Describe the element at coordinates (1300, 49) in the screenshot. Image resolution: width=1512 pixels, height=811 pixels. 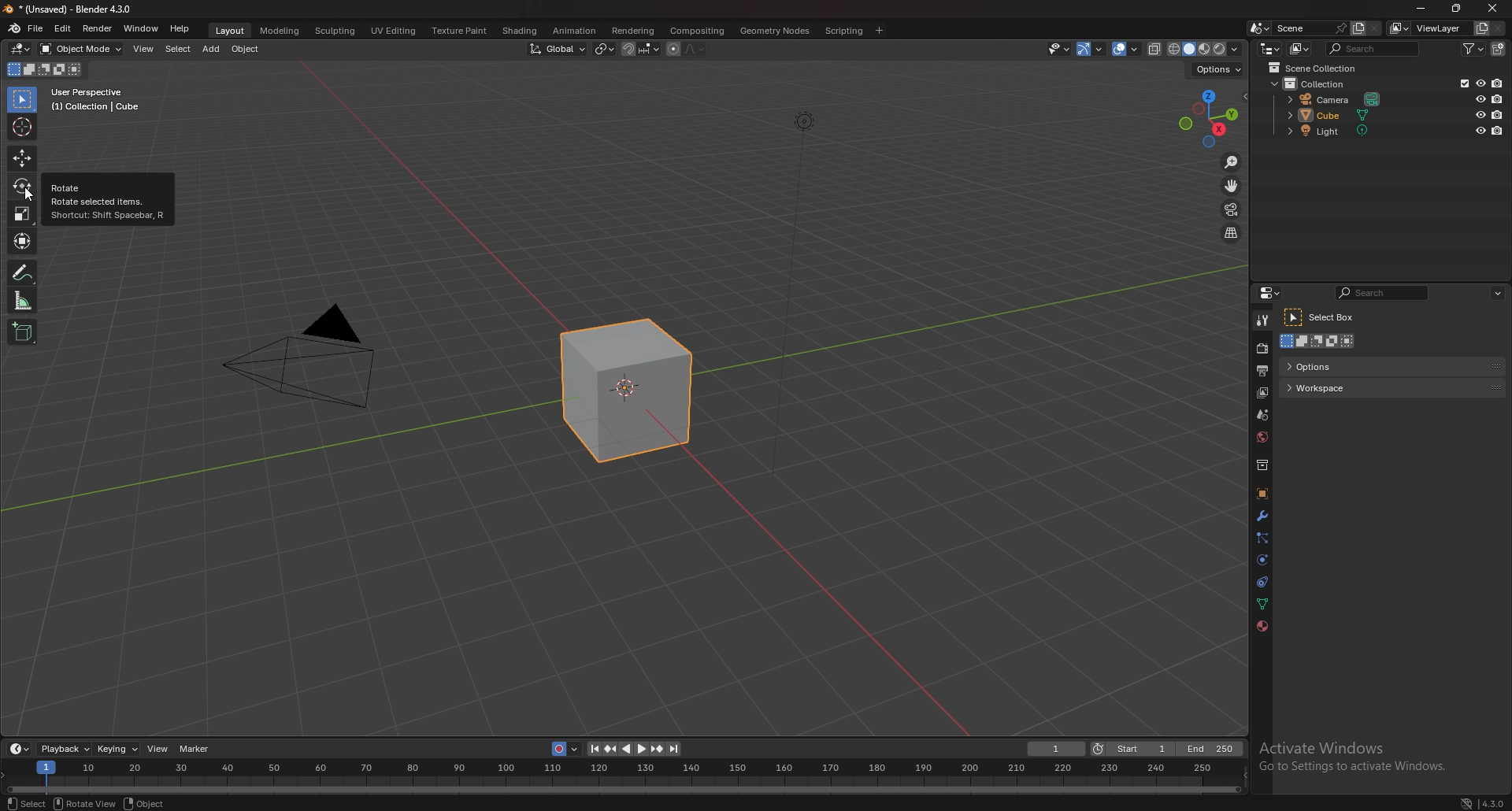
I see `display mode` at that location.